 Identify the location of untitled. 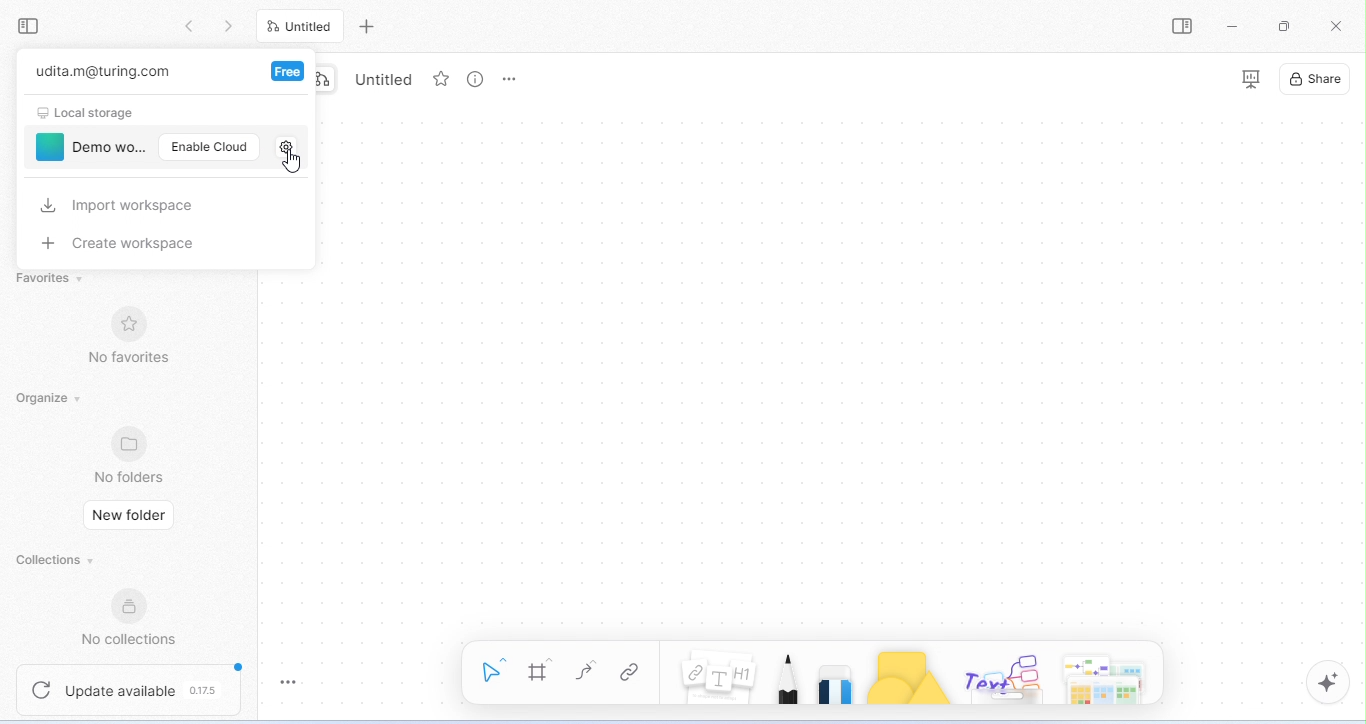
(304, 28).